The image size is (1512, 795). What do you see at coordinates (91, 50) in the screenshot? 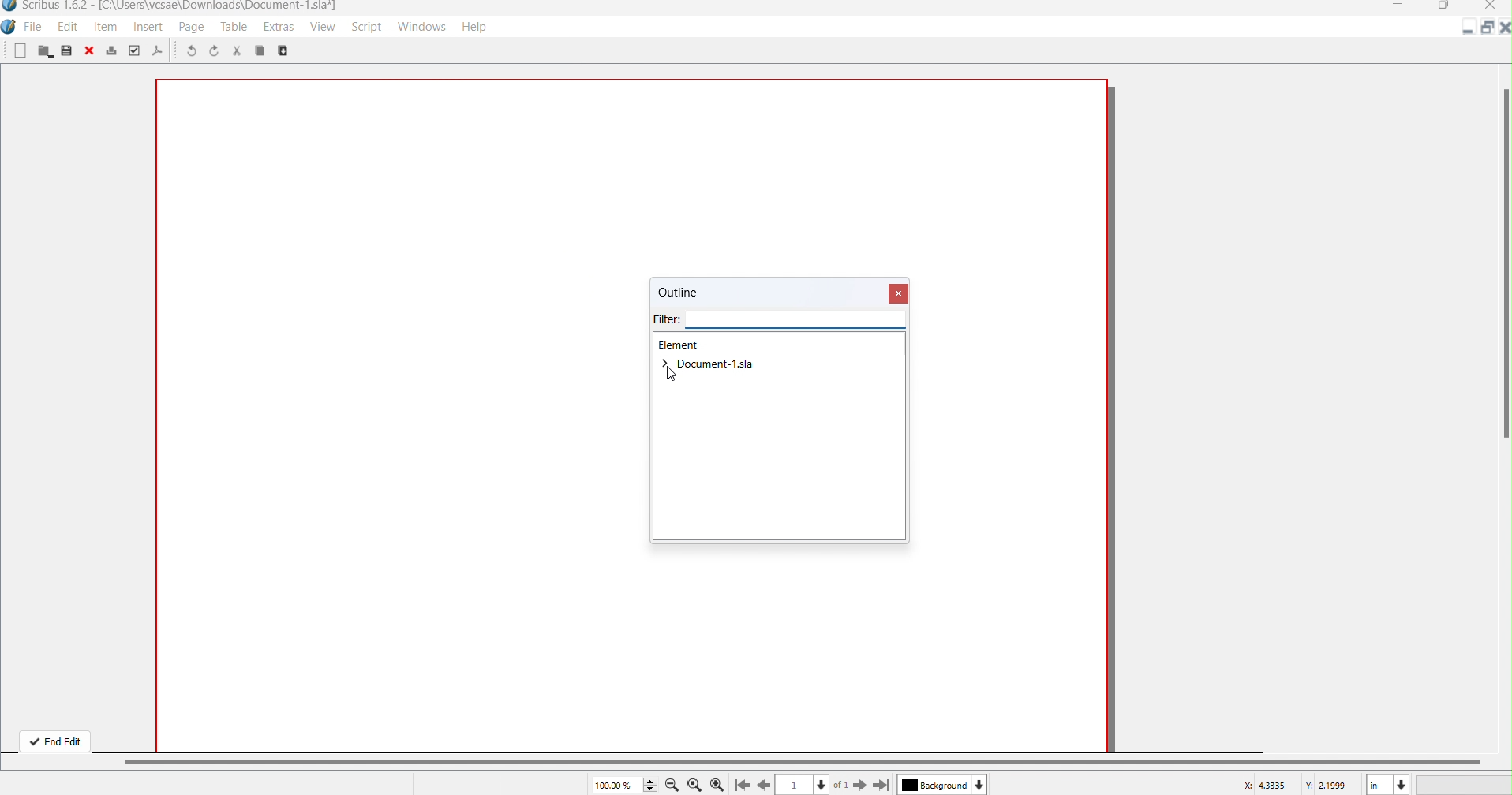
I see `` at bounding box center [91, 50].